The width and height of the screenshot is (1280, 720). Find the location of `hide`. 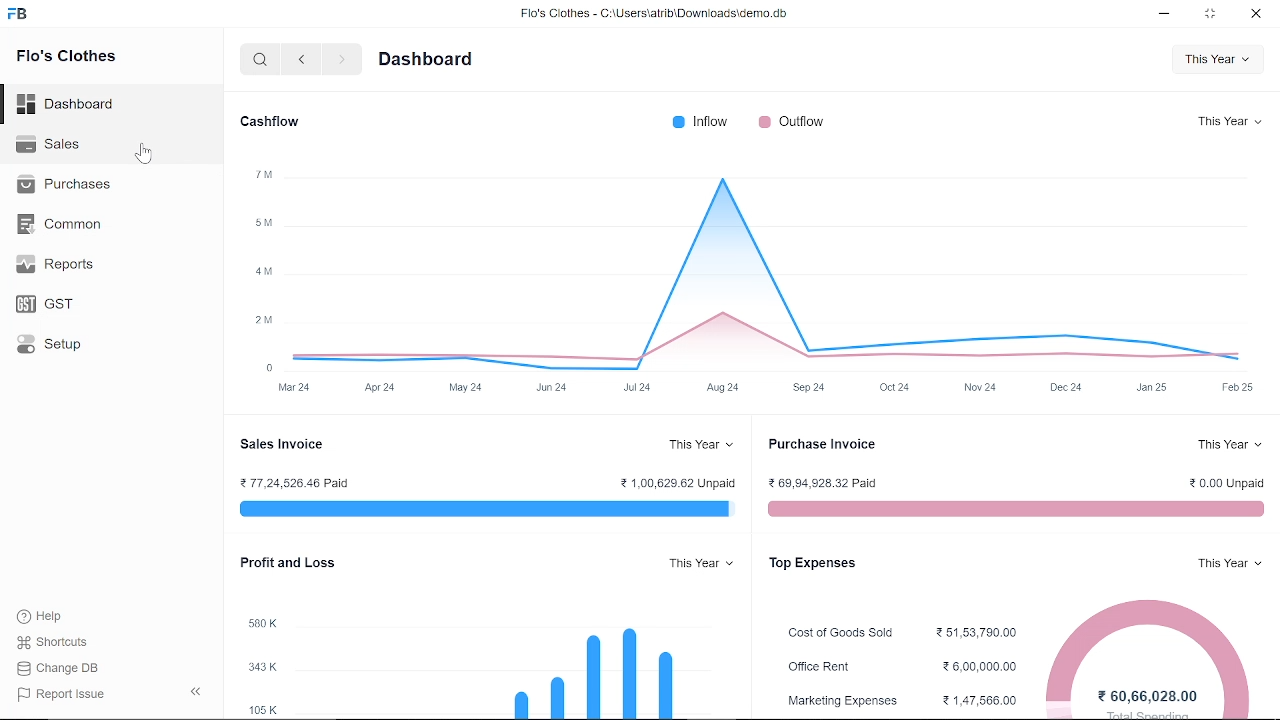

hide is located at coordinates (194, 692).